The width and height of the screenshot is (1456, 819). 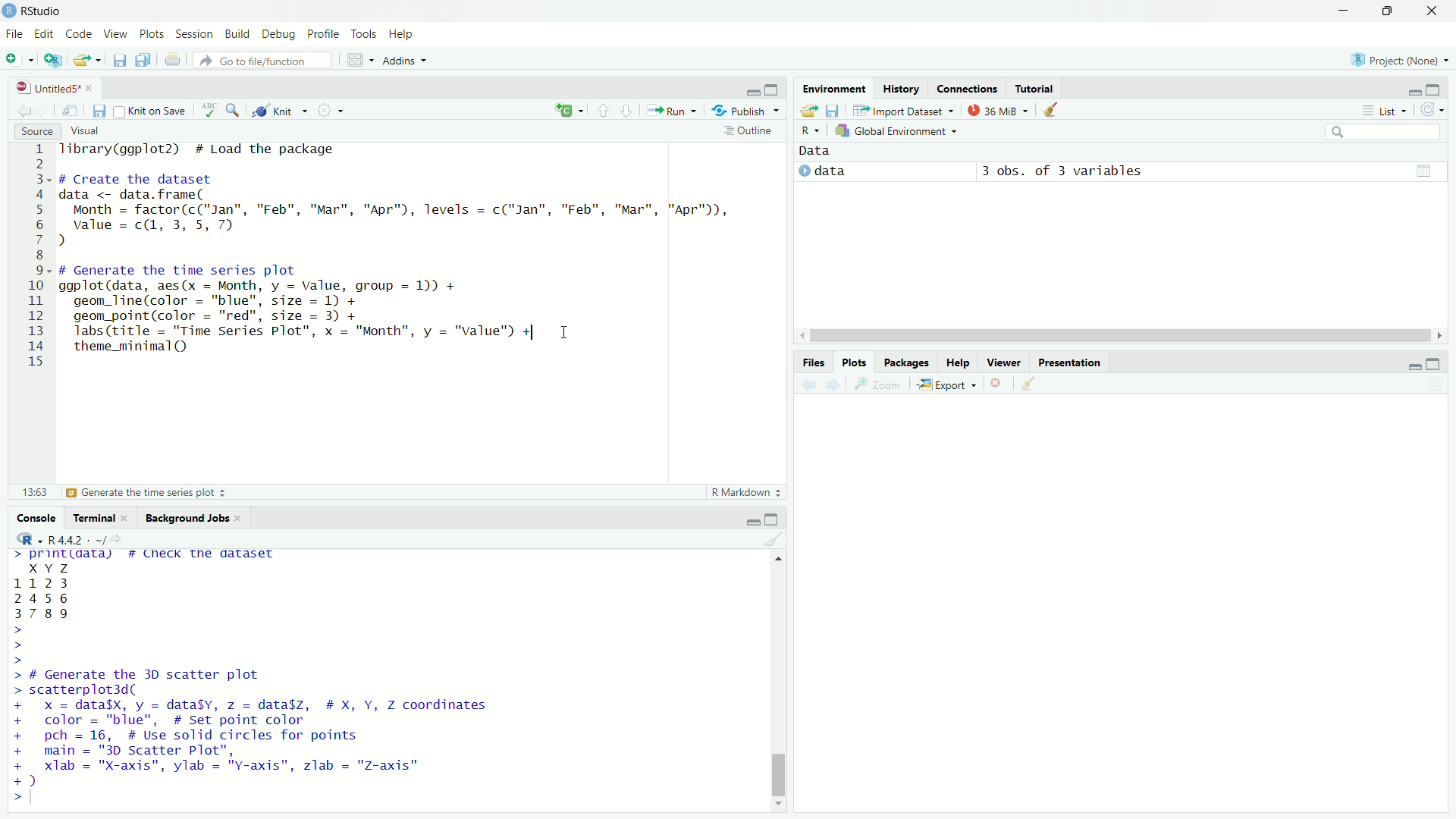 What do you see at coordinates (1004, 359) in the screenshot?
I see `viewer` at bounding box center [1004, 359].